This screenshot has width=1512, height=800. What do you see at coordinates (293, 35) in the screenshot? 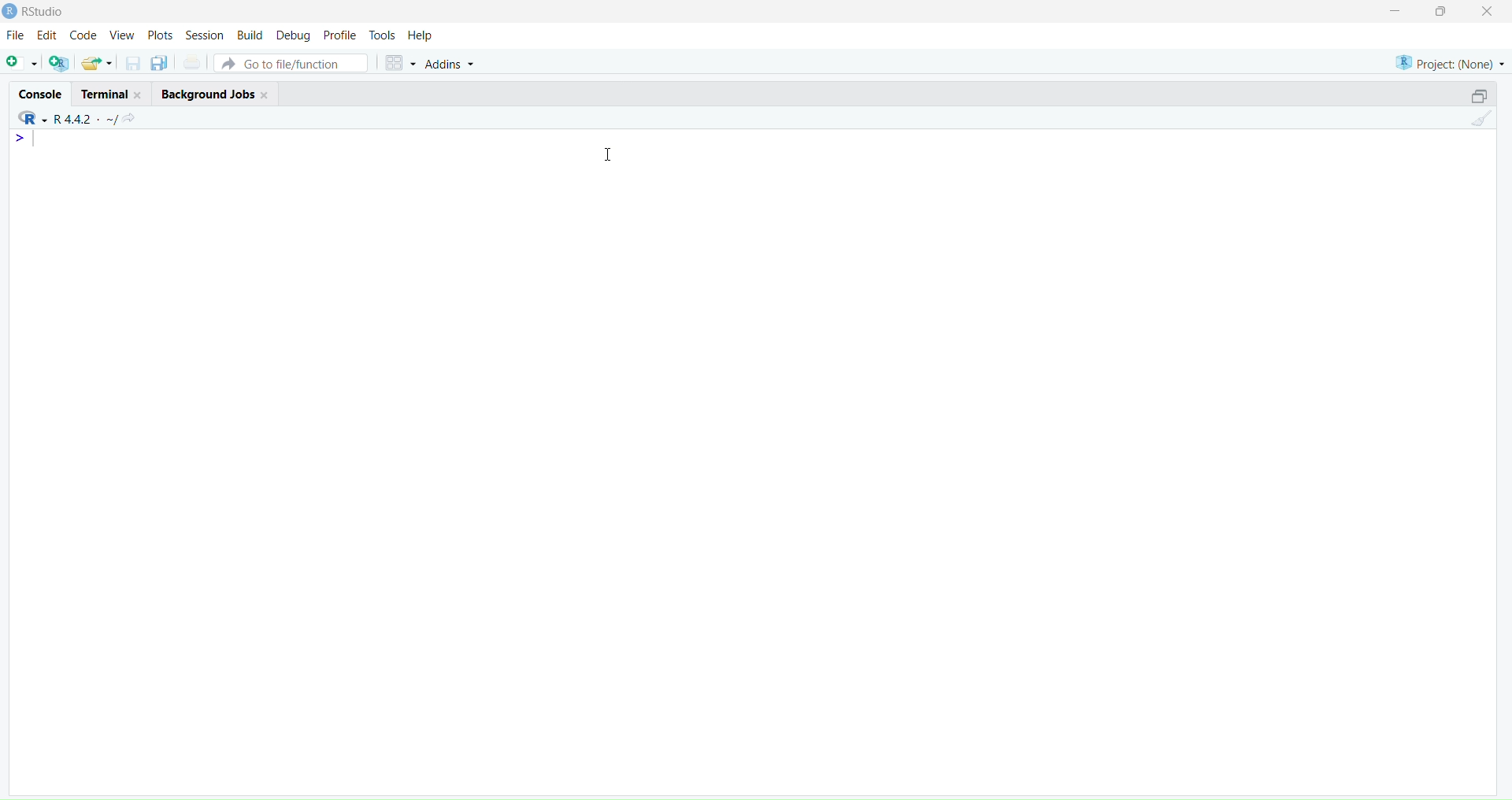
I see `Debug` at bounding box center [293, 35].